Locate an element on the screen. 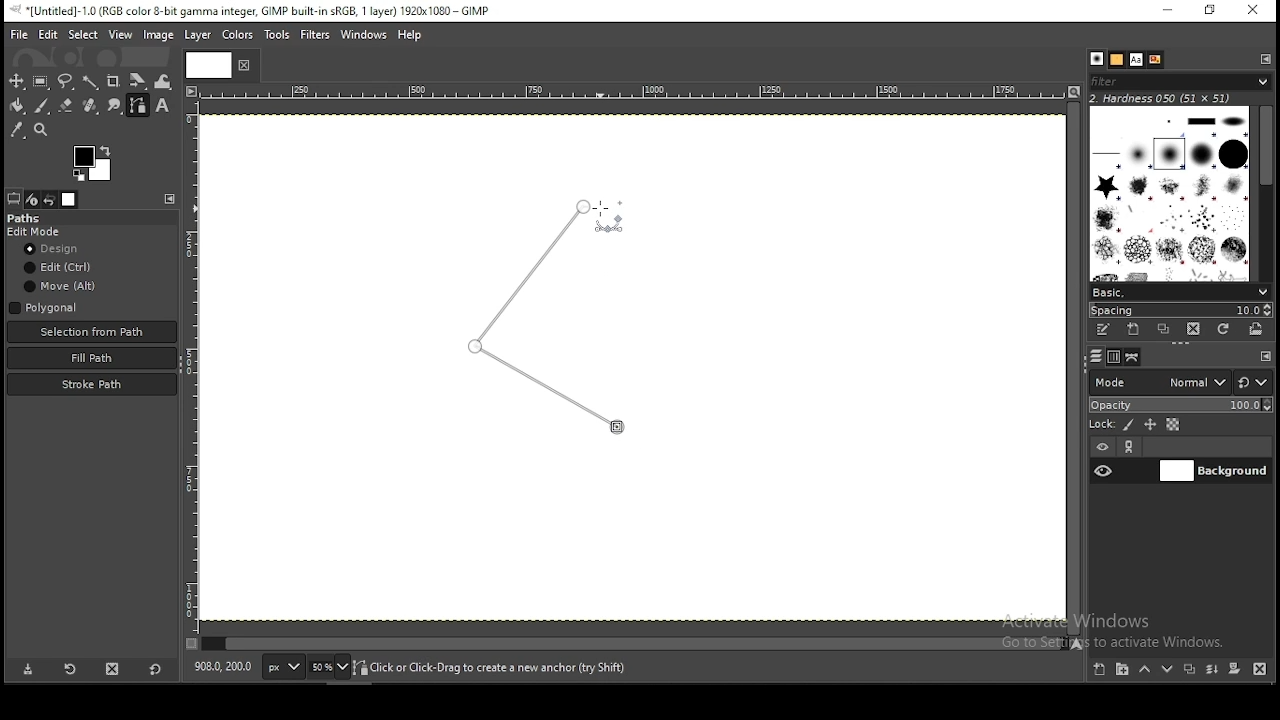 The image size is (1280, 720). channel is located at coordinates (1113, 356).